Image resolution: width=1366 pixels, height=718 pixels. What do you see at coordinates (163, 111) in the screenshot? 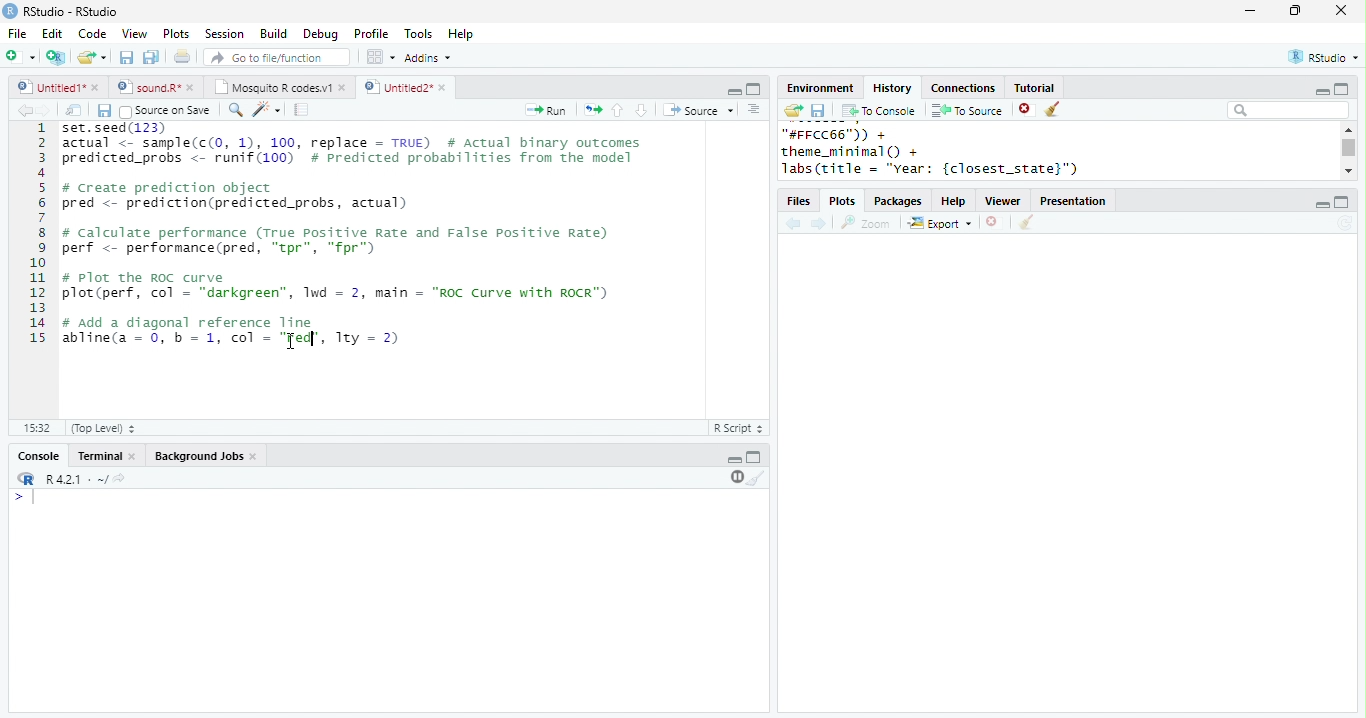
I see `Source on Save` at bounding box center [163, 111].